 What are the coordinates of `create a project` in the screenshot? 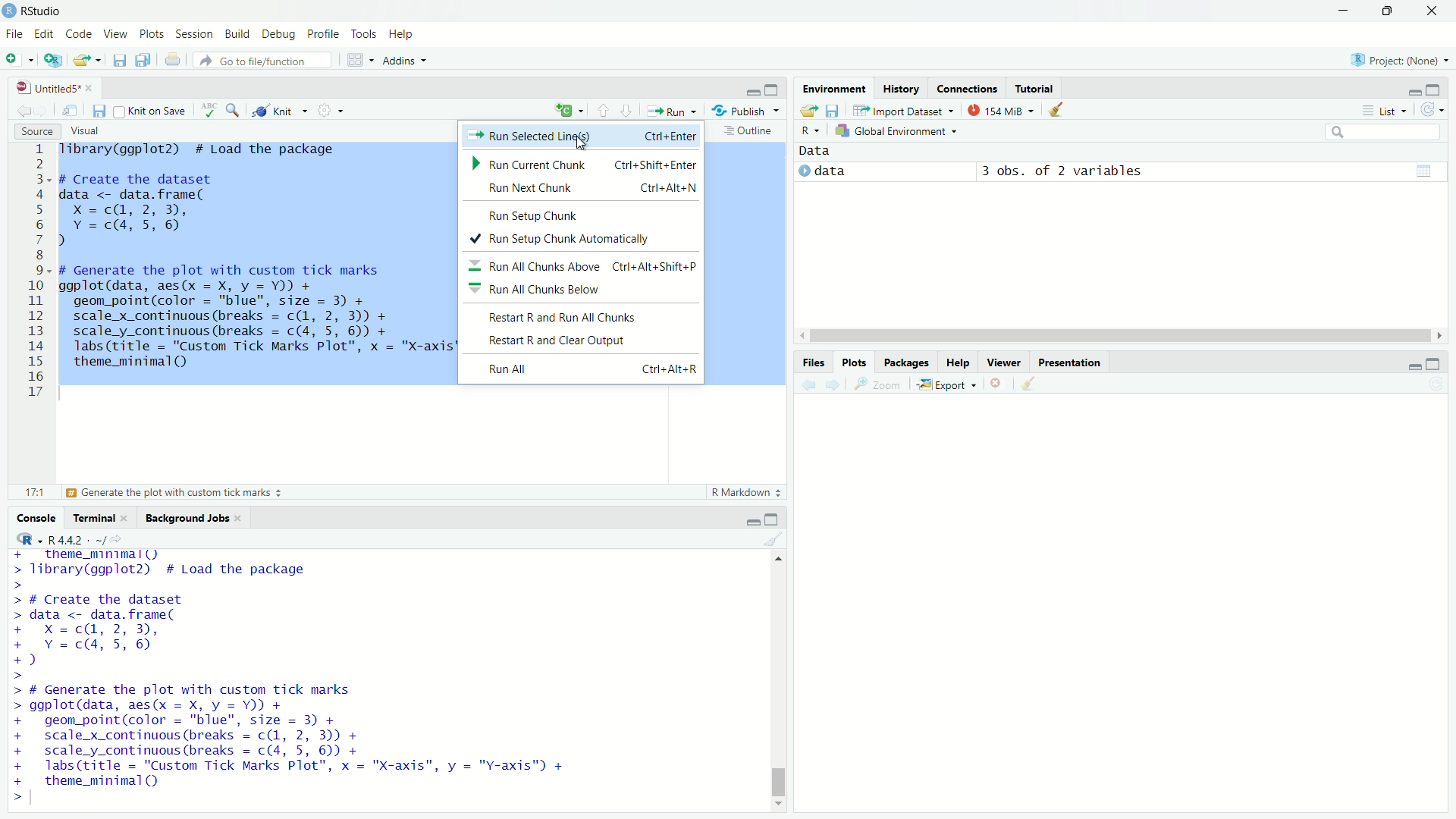 It's located at (53, 60).